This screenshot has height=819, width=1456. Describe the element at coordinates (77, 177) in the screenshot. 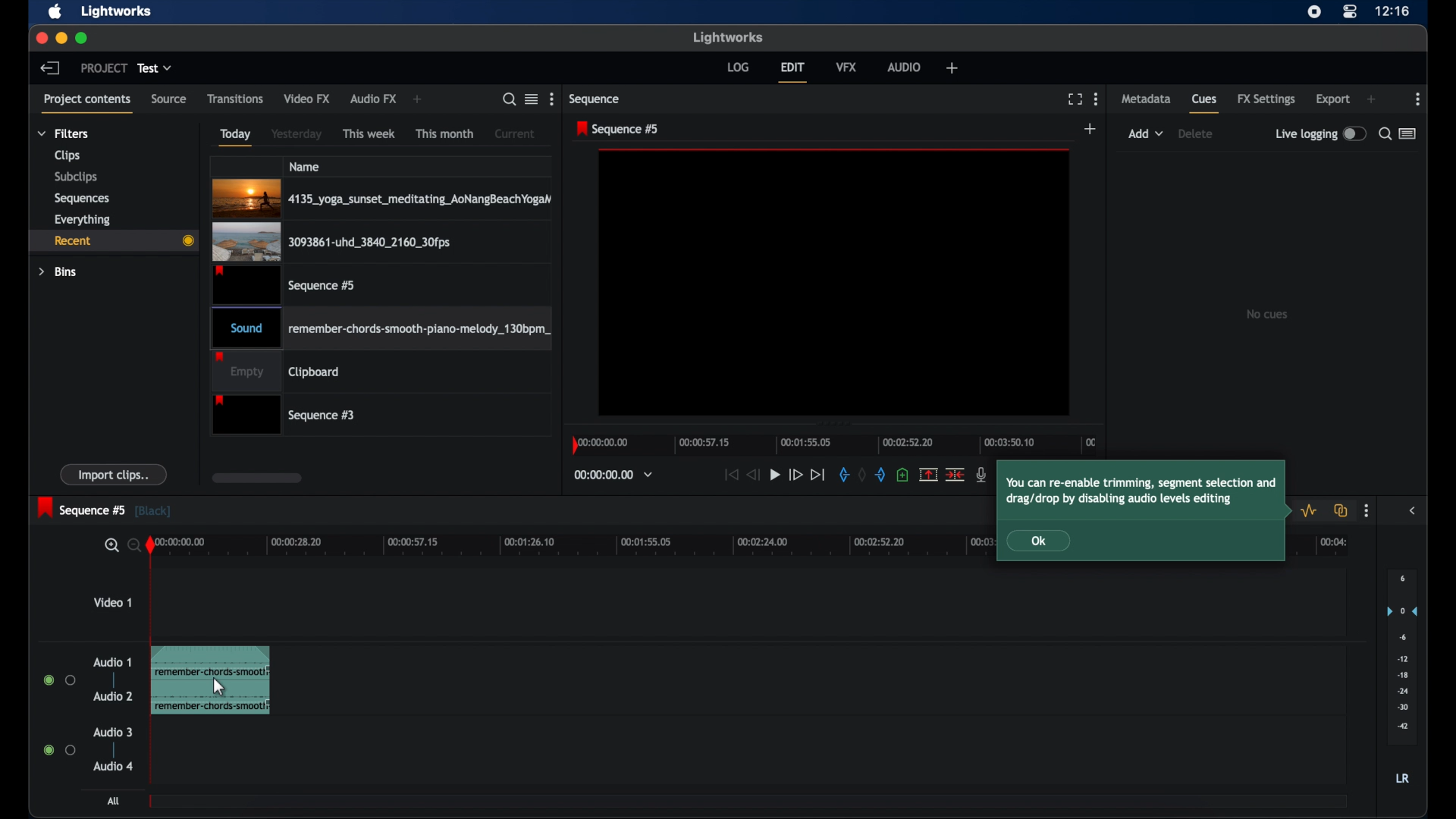

I see `subclips` at that location.